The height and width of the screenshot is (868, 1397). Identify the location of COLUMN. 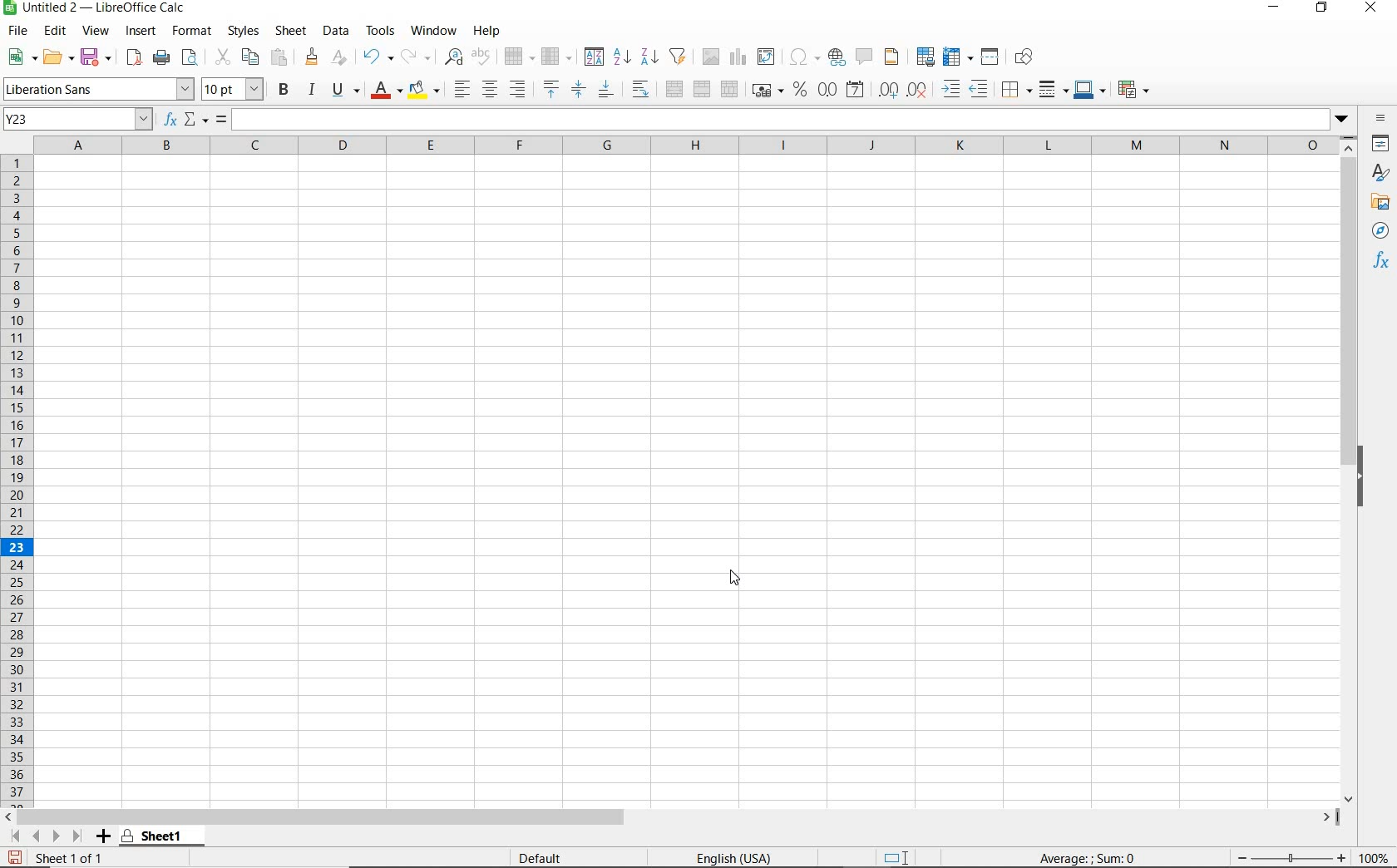
(554, 57).